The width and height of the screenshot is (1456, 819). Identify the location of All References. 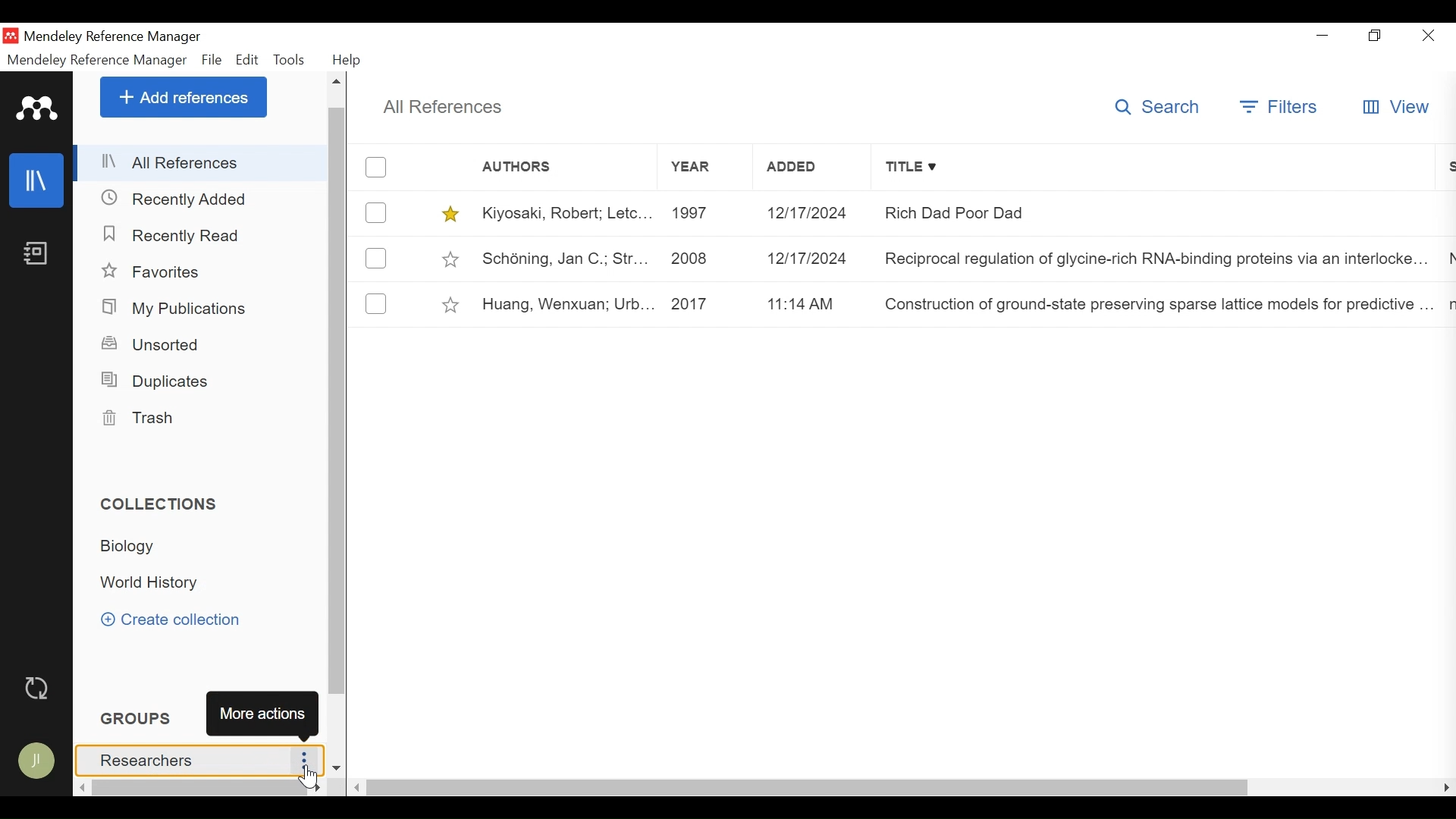
(447, 106).